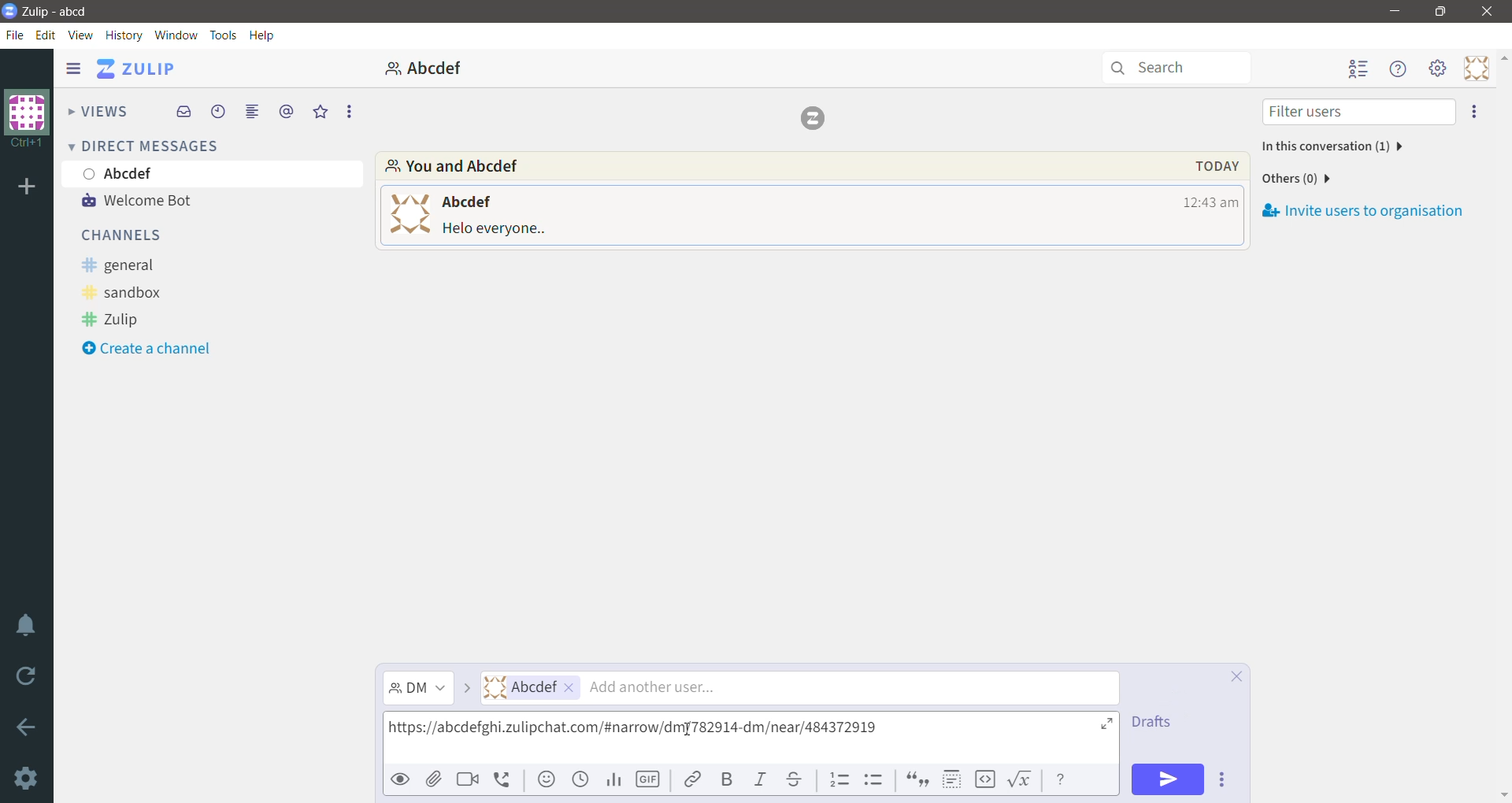 The width and height of the screenshot is (1512, 803). I want to click on History, so click(124, 35).